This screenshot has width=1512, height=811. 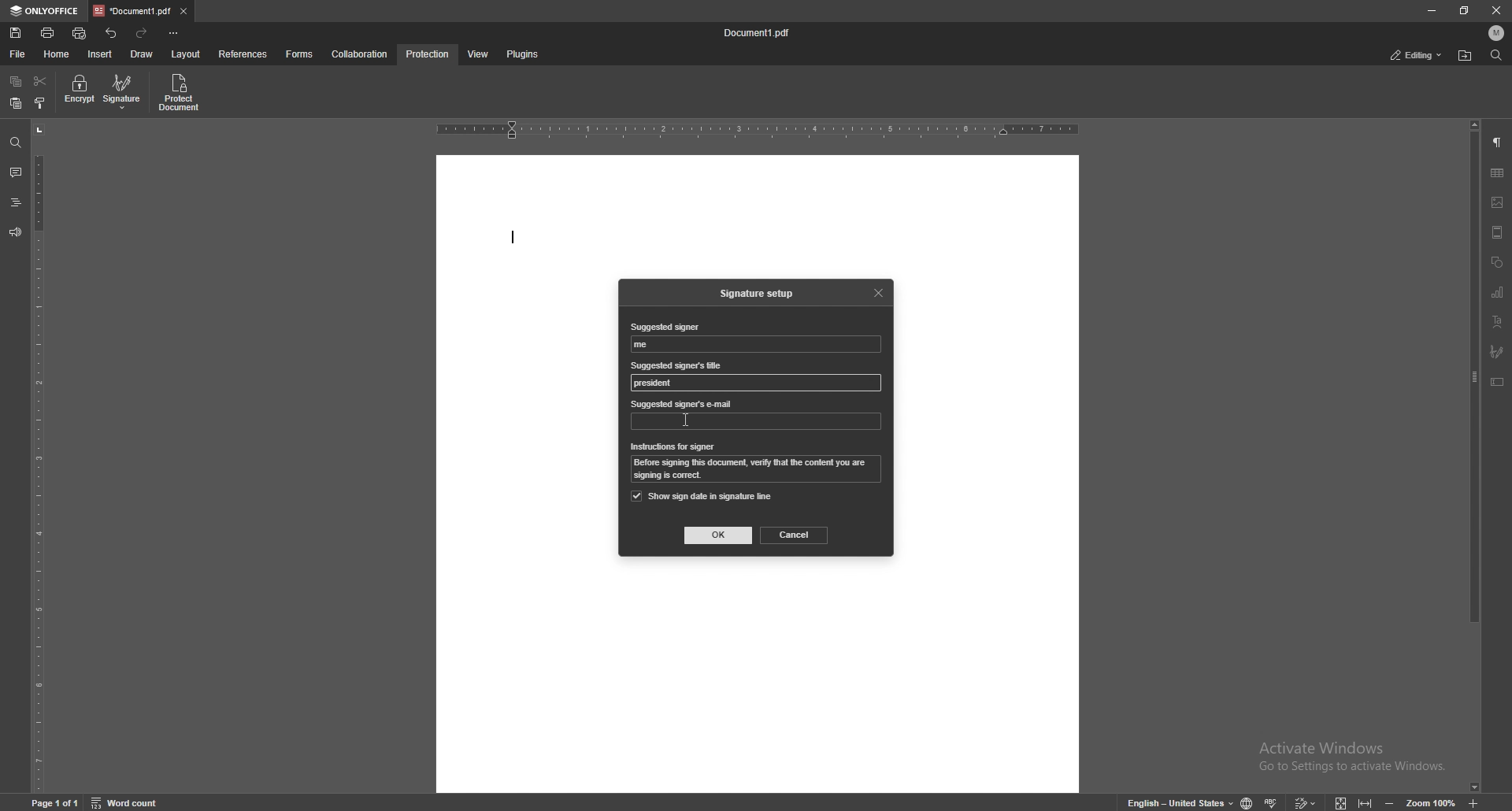 I want to click on plugins, so click(x=521, y=55).